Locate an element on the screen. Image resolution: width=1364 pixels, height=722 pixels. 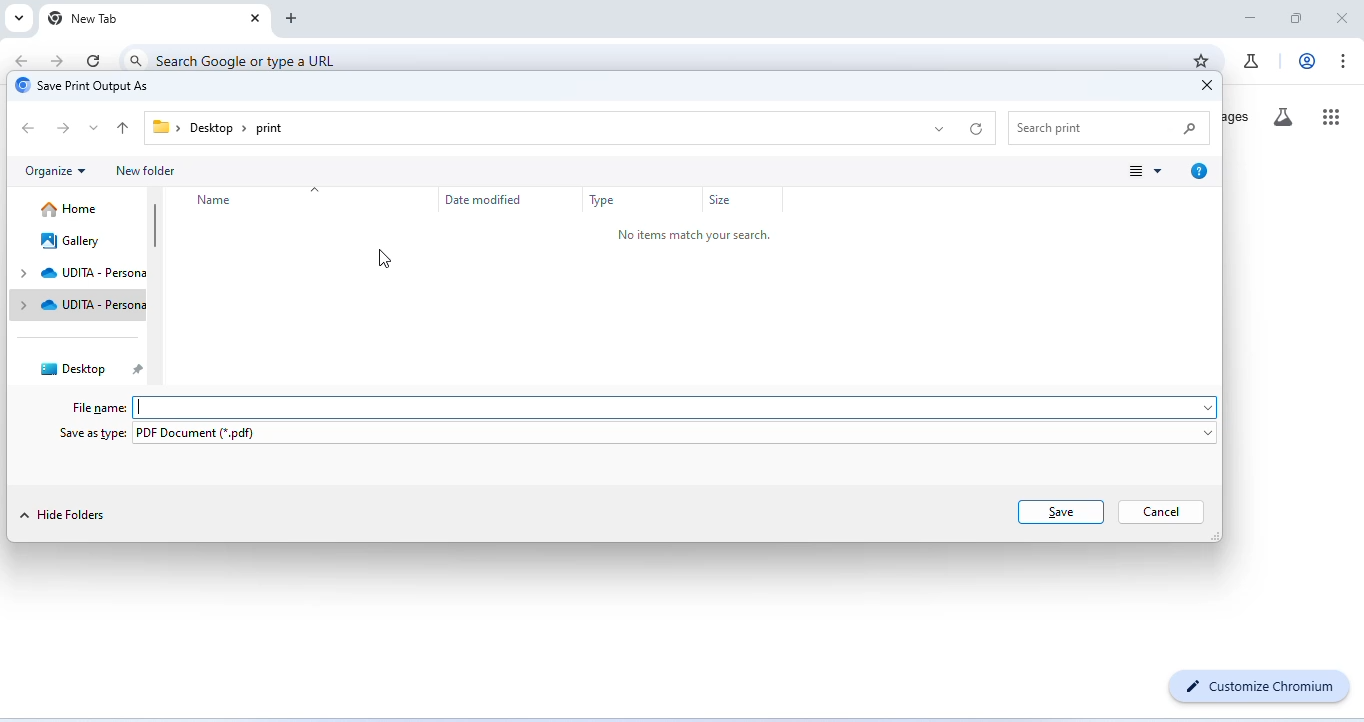
file name is located at coordinates (101, 408).